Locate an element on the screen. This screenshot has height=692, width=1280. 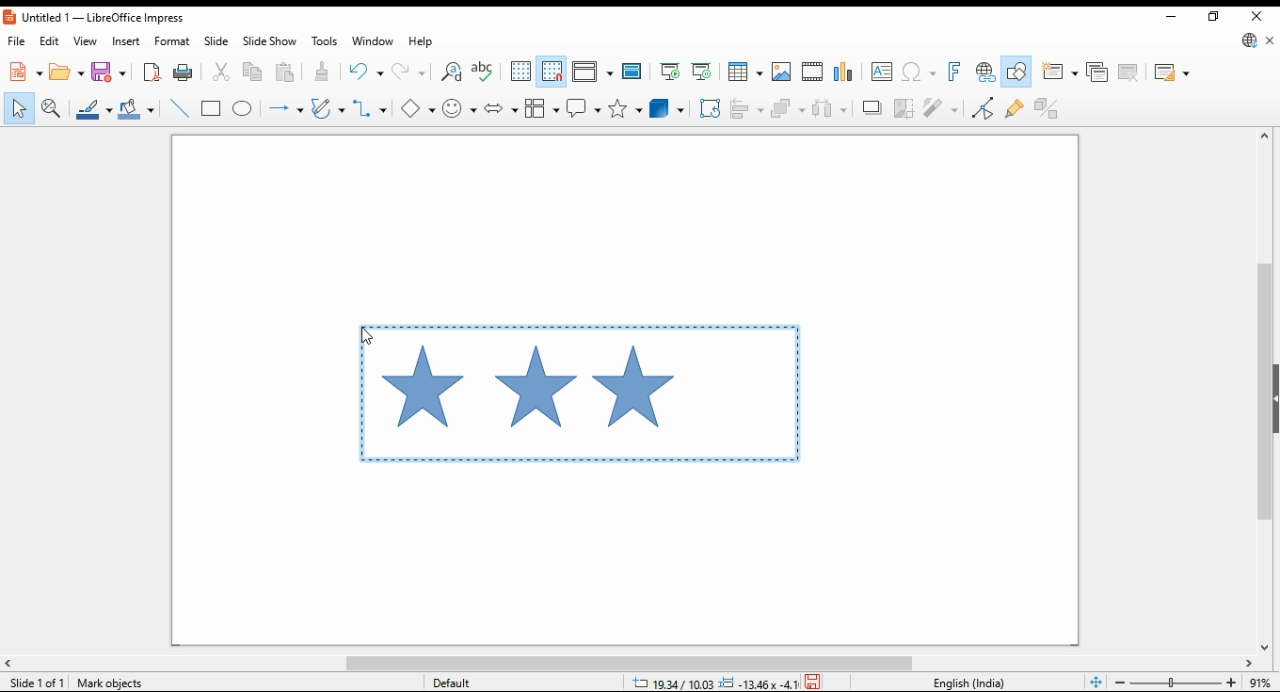
insert textbox is located at coordinates (881, 73).